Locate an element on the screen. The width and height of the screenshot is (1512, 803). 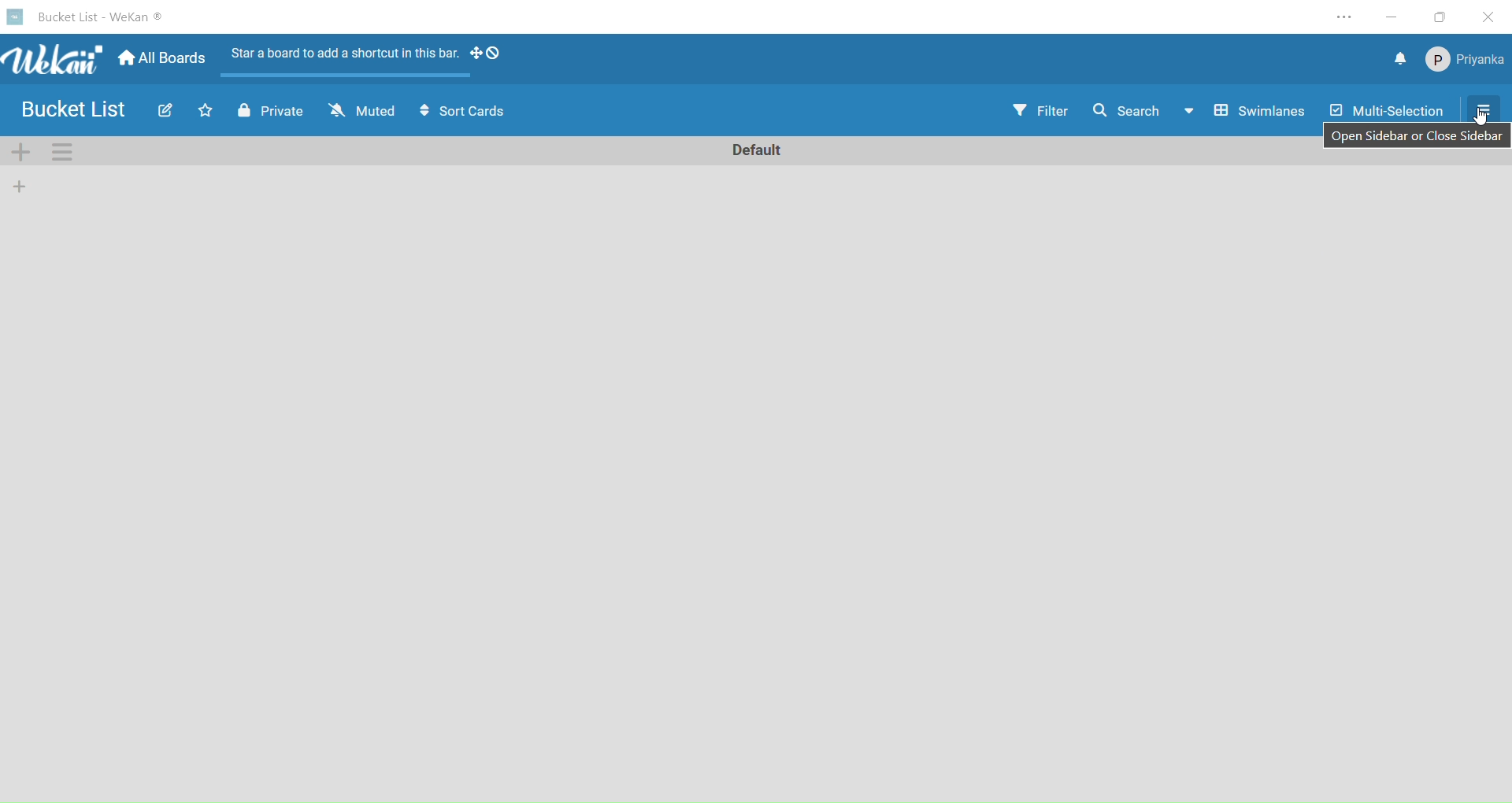
selecting open sidebar or close sidebar is located at coordinates (1483, 110).